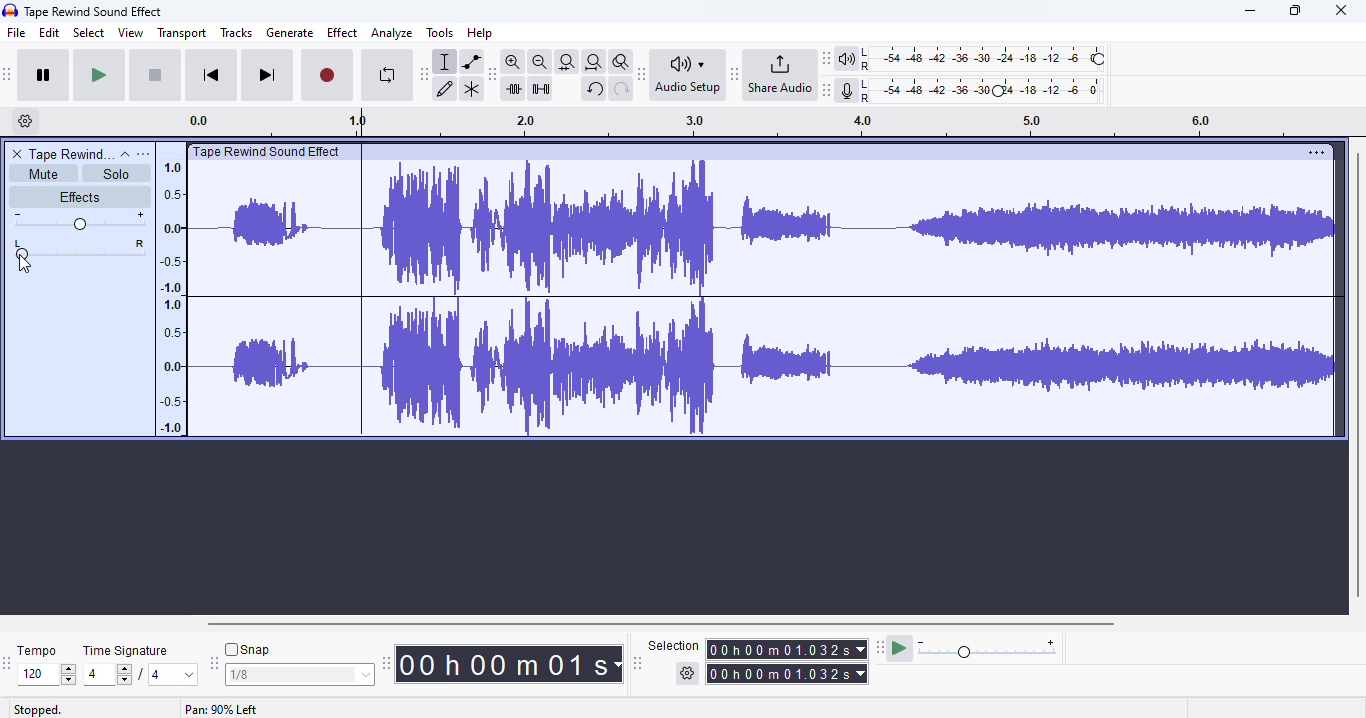 The image size is (1366, 718). I want to click on tools, so click(440, 32).